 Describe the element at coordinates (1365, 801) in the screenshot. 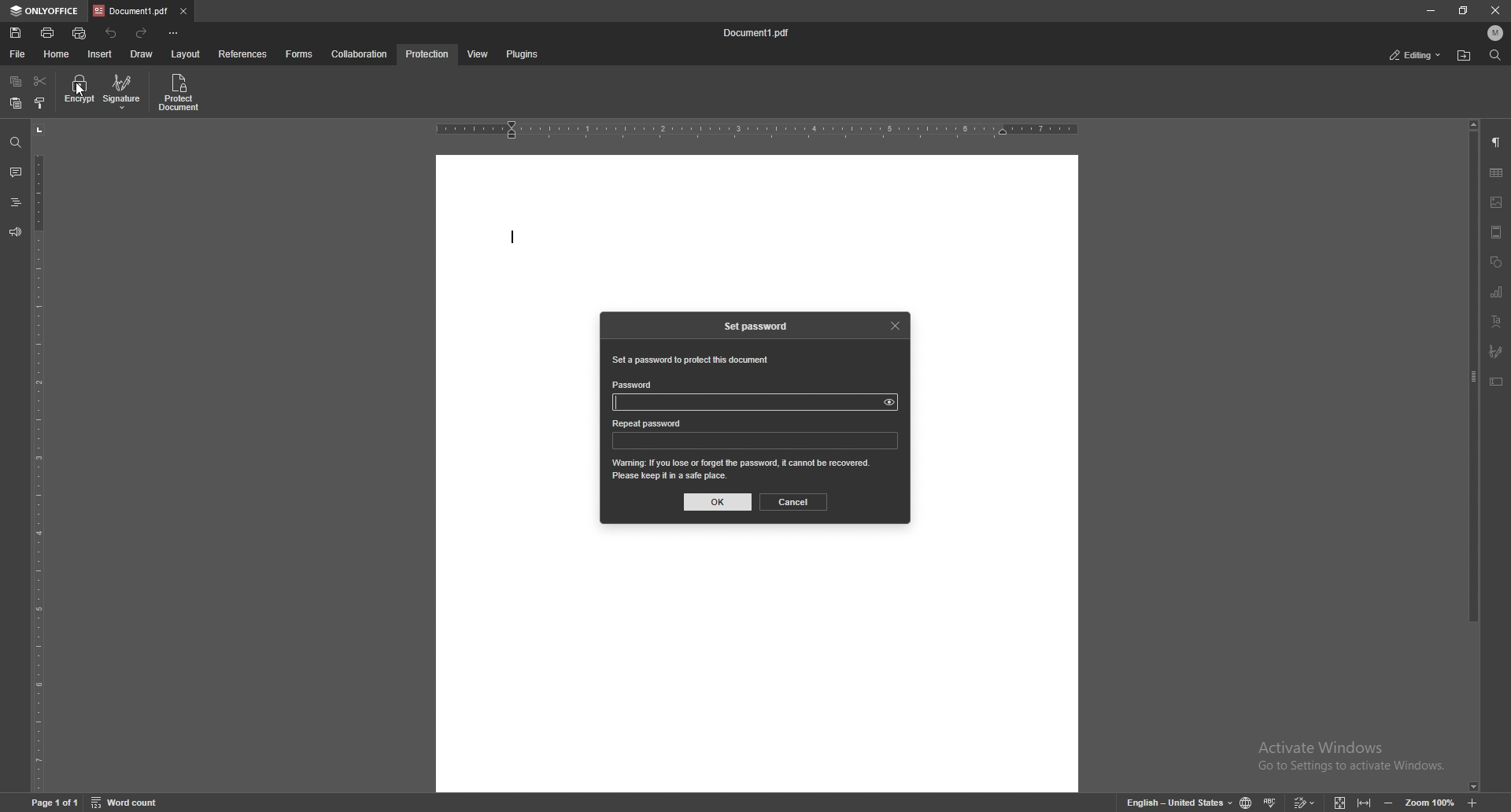

I see `fit to width` at that location.